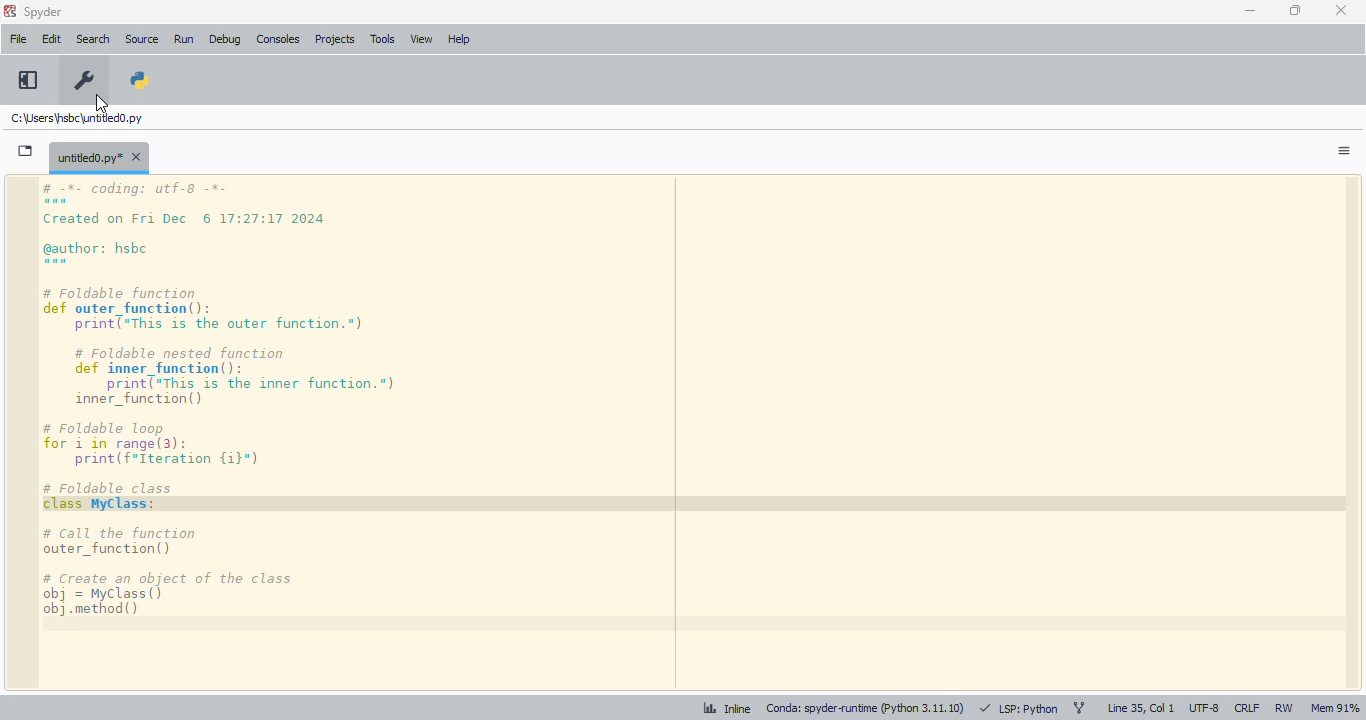  What do you see at coordinates (1341, 10) in the screenshot?
I see `close` at bounding box center [1341, 10].